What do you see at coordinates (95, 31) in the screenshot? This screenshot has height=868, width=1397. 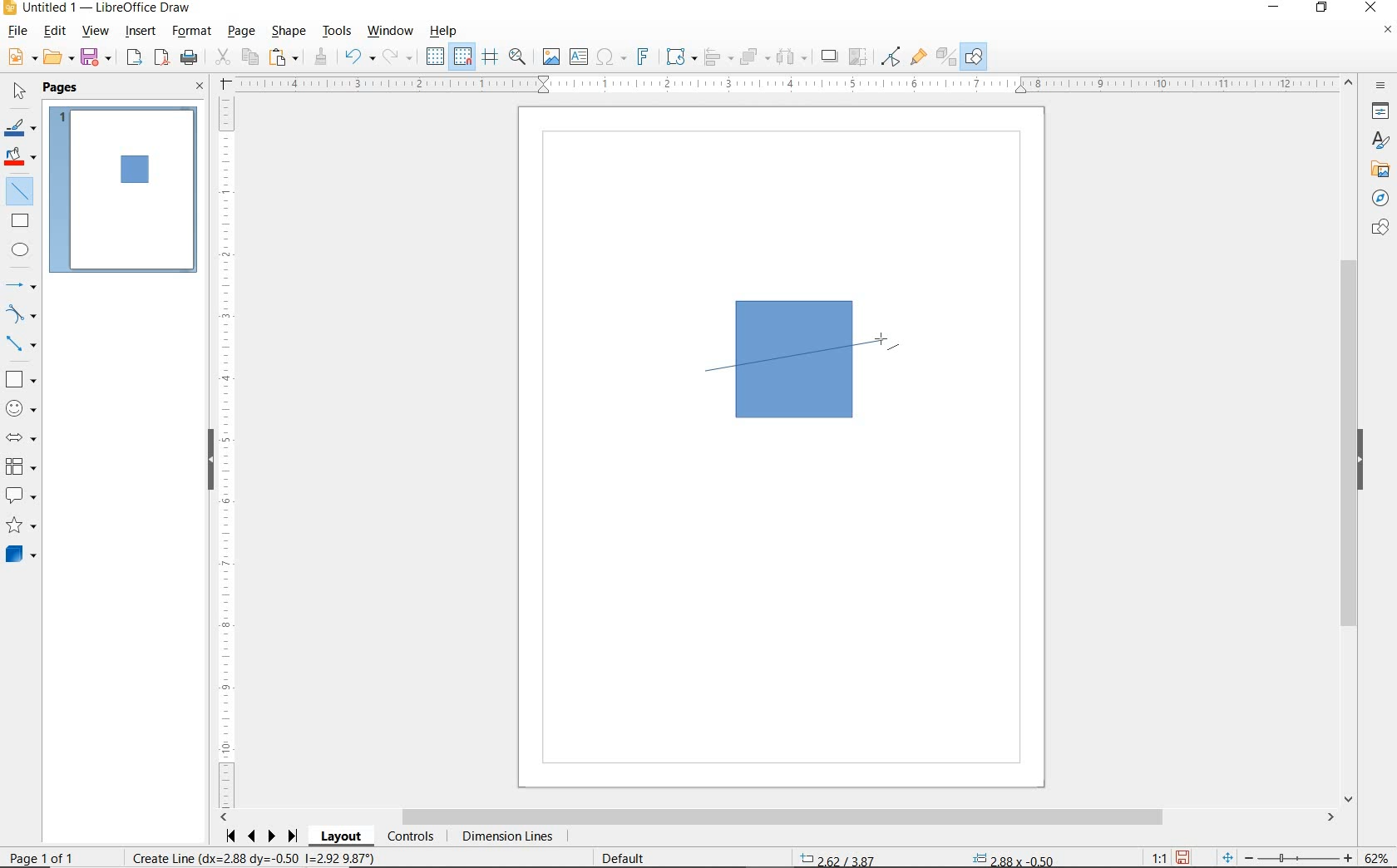 I see `VIEW` at bounding box center [95, 31].